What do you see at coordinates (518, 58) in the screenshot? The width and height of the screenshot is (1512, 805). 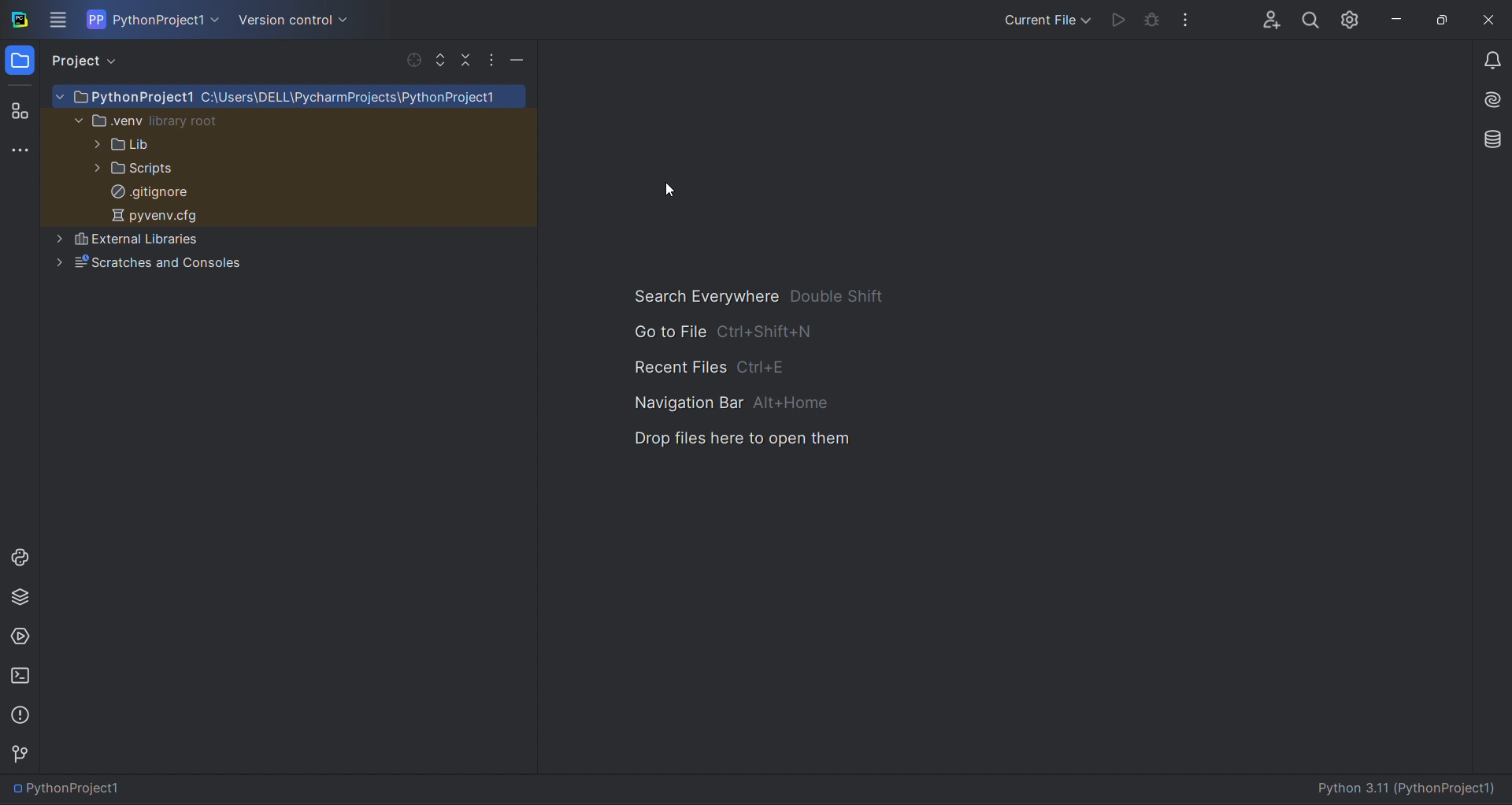 I see `minimize` at bounding box center [518, 58].